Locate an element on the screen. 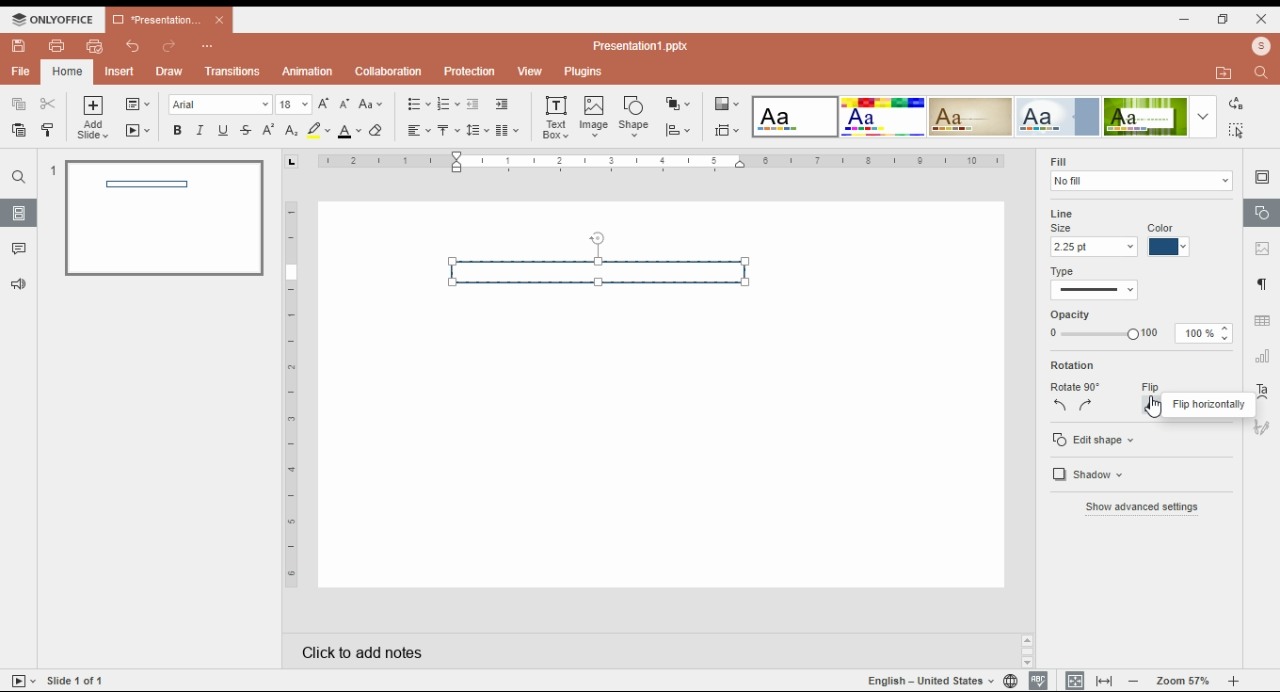  ONLYOFFICE is located at coordinates (54, 19).